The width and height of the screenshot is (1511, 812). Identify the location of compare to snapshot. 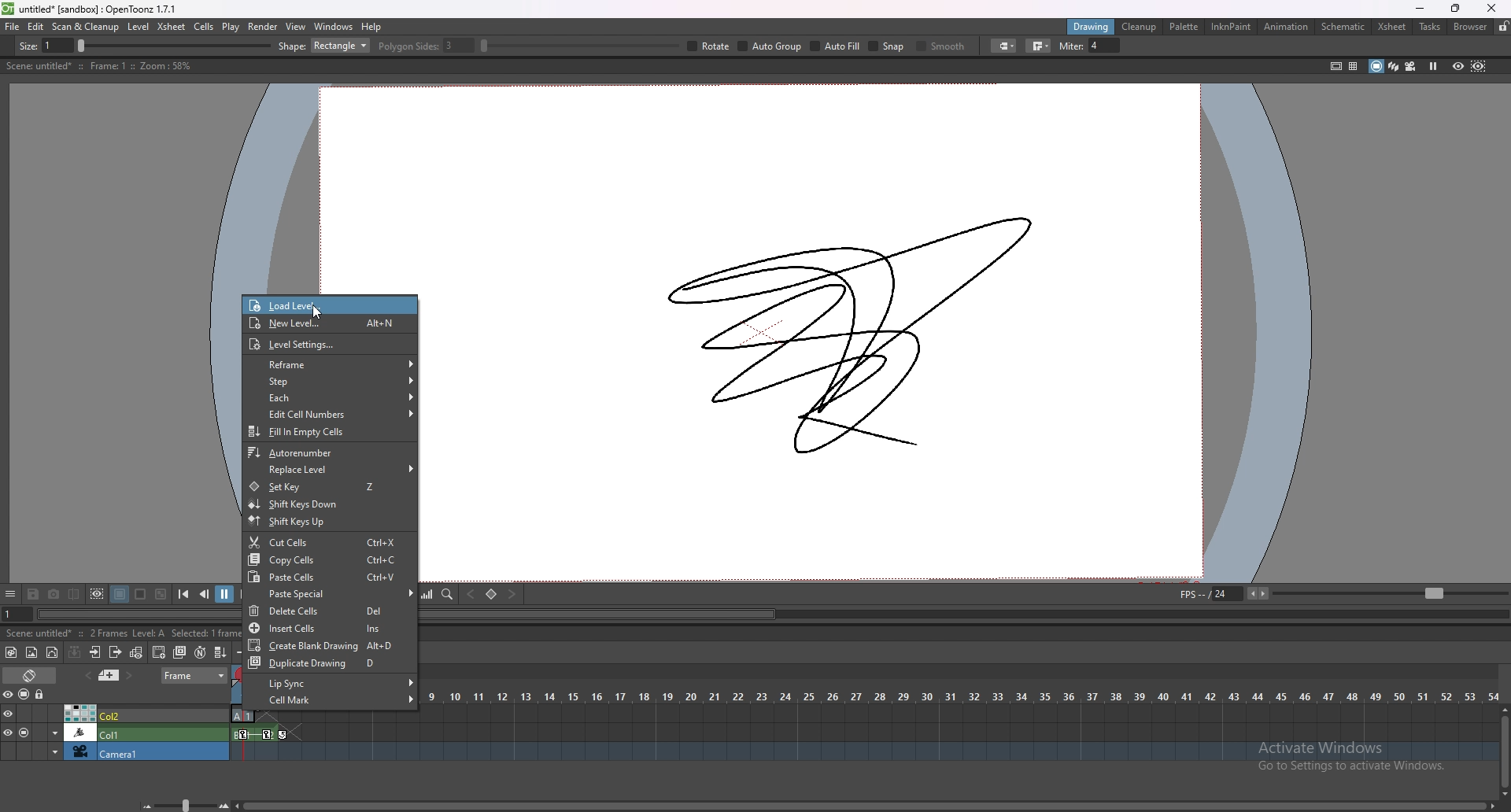
(76, 593).